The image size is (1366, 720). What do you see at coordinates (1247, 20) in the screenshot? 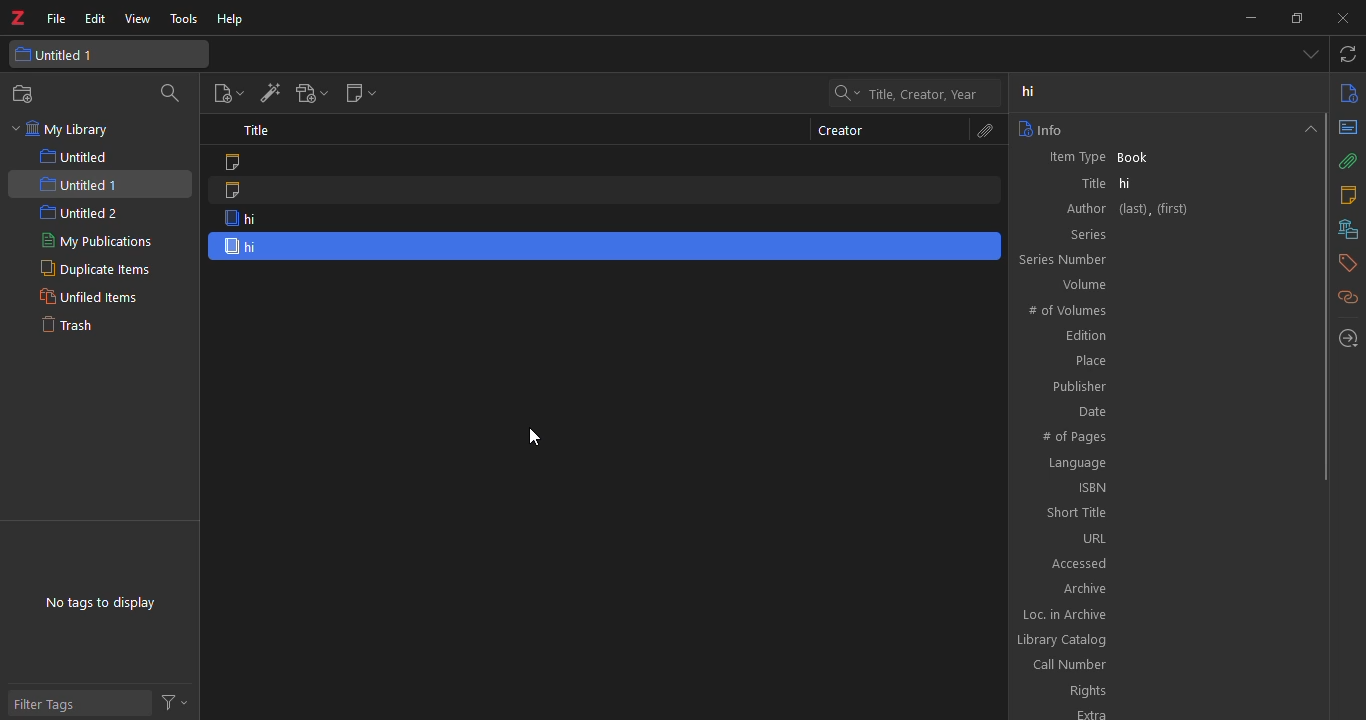
I see `minimize` at bounding box center [1247, 20].